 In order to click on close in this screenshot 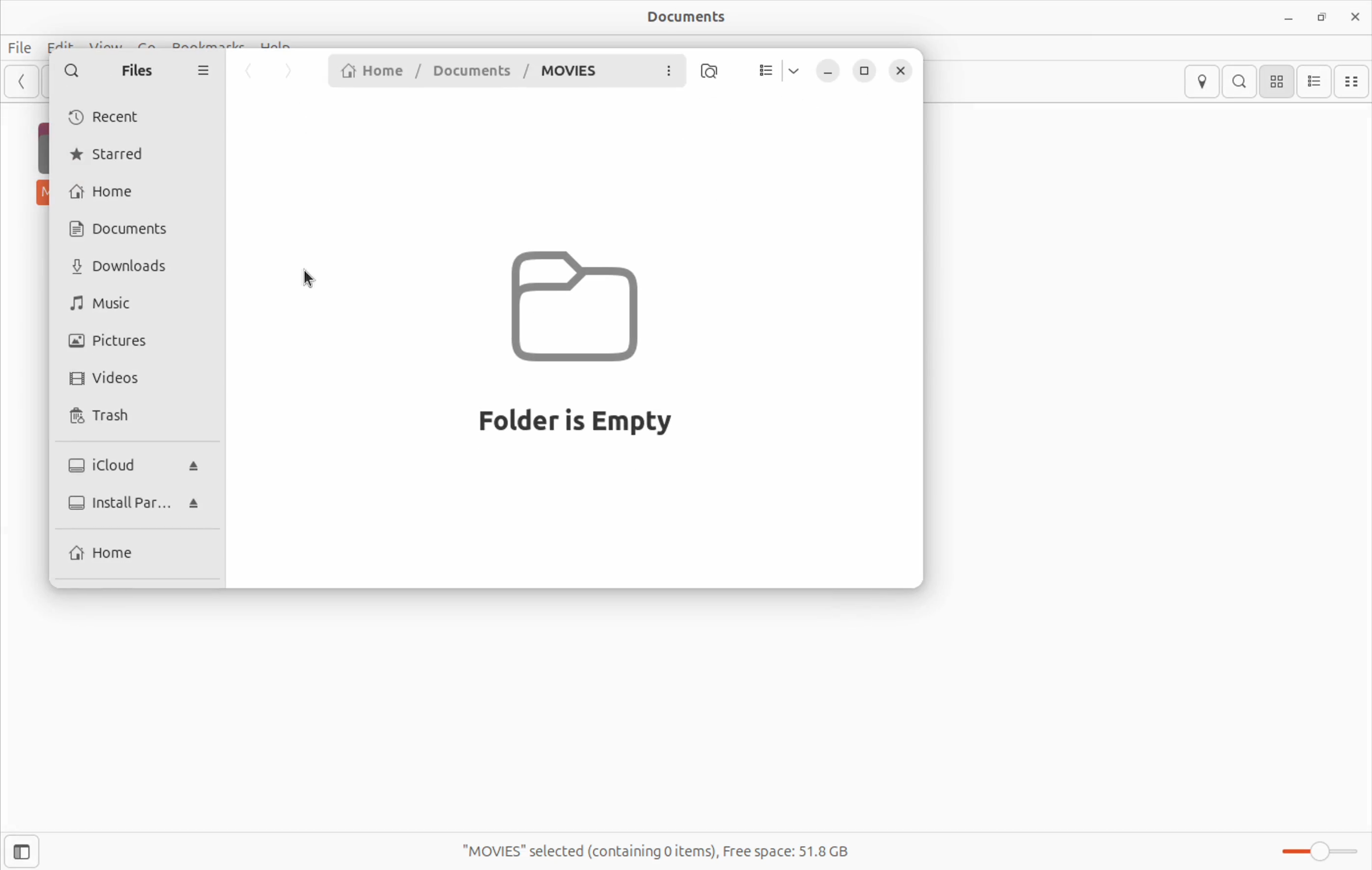, I will do `click(903, 70)`.